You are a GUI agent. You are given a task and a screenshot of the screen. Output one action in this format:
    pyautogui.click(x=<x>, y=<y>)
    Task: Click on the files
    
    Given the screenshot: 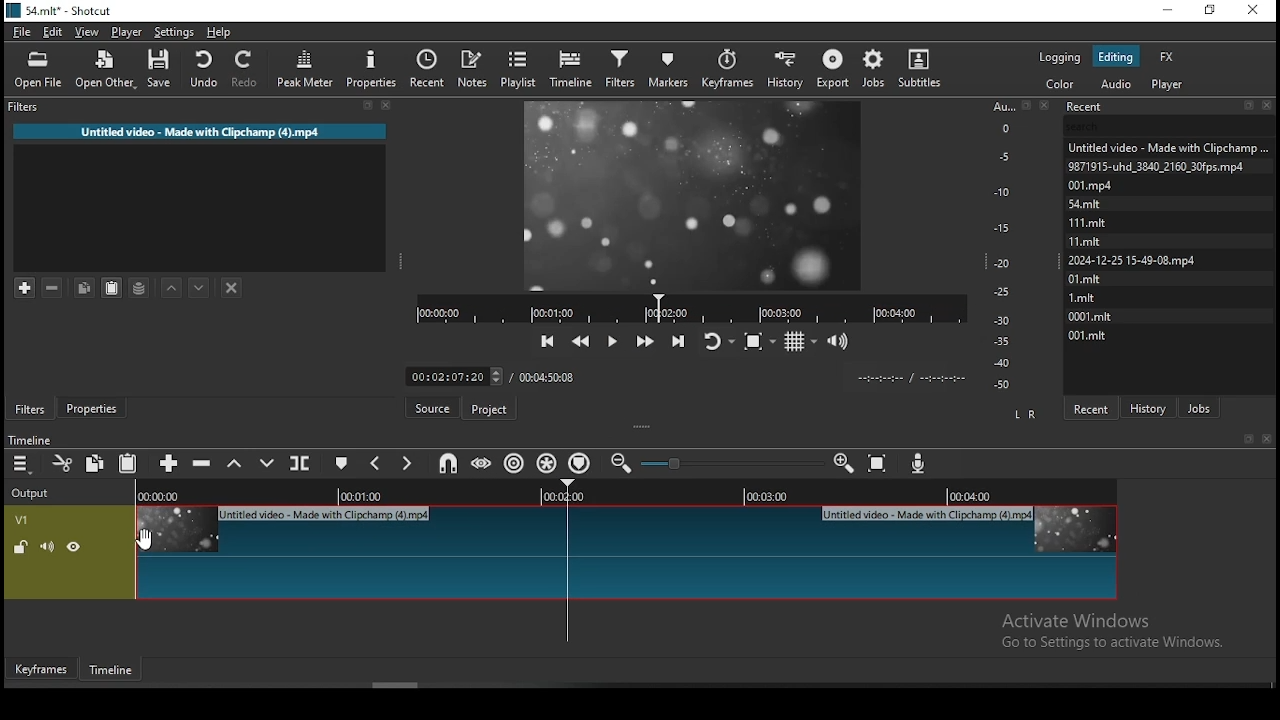 What is the action you would take?
    pyautogui.click(x=1085, y=203)
    